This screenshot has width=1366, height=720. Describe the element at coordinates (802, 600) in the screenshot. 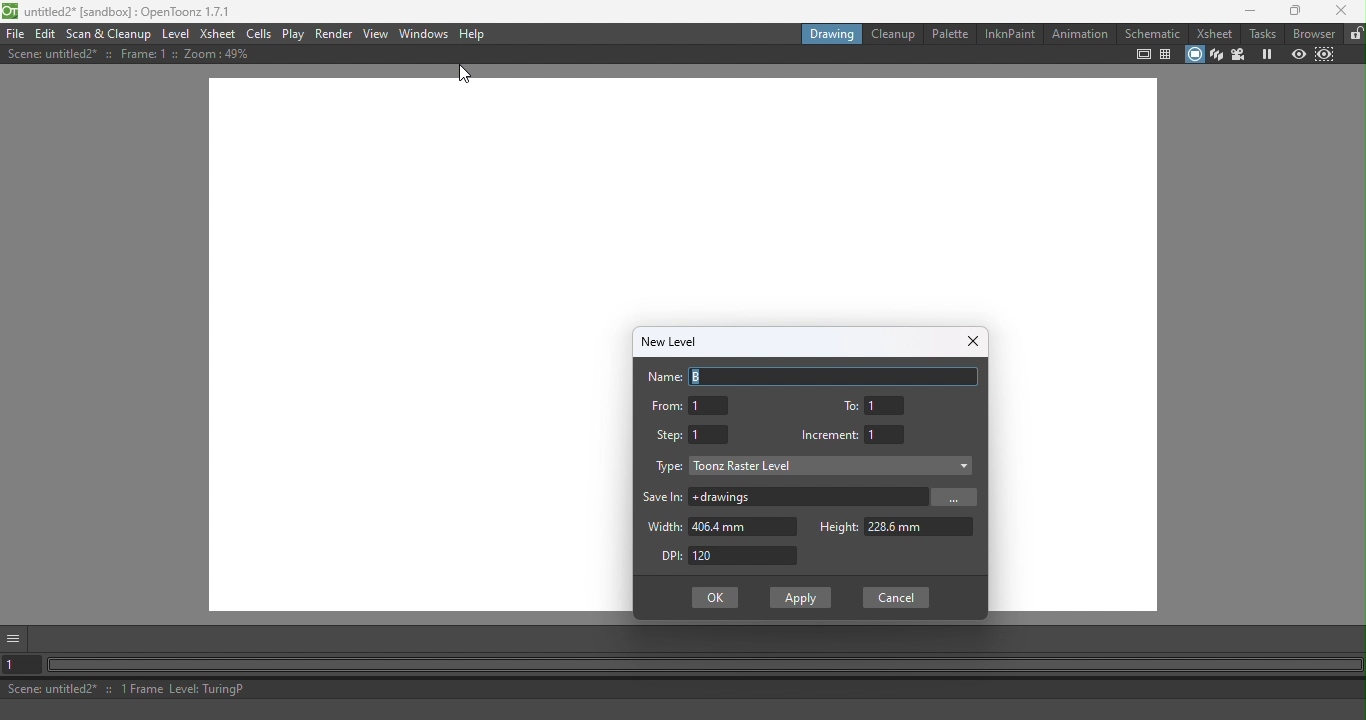

I see `Apply` at that location.